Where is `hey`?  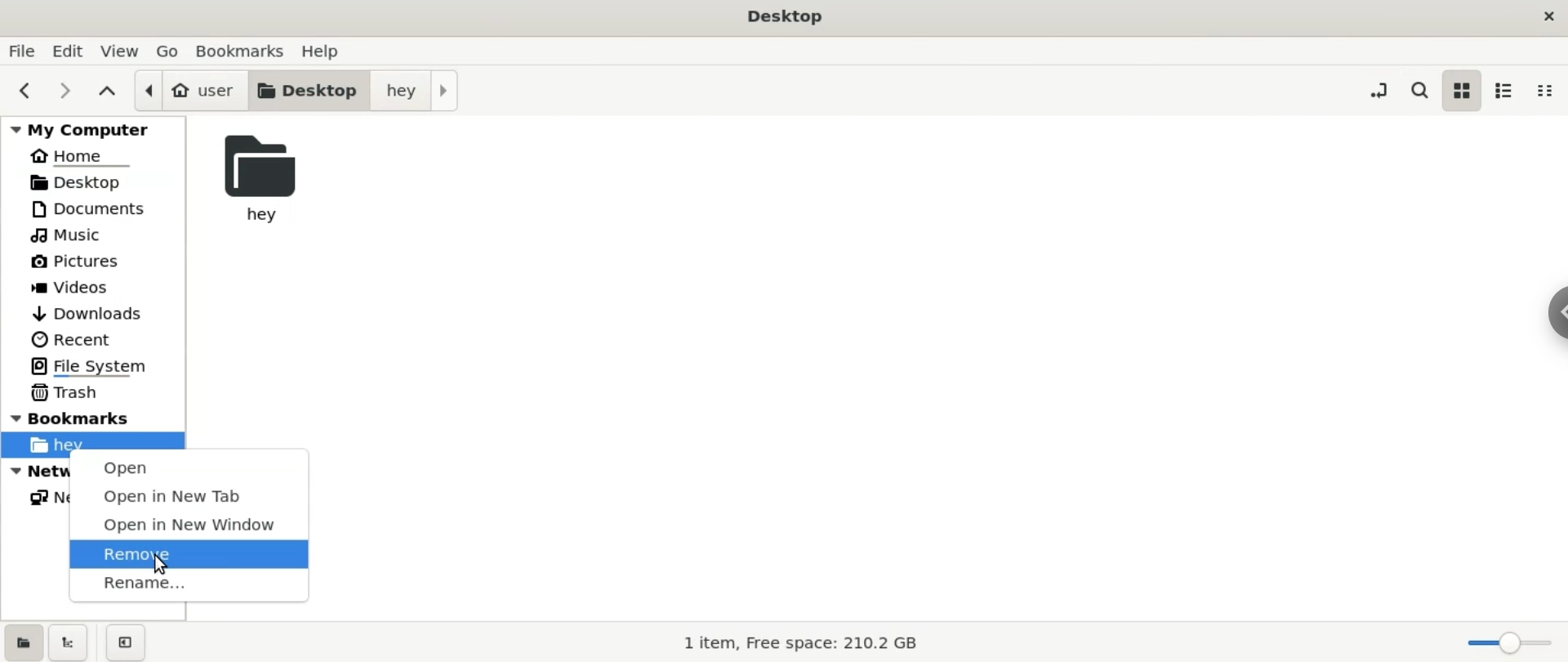 hey is located at coordinates (266, 177).